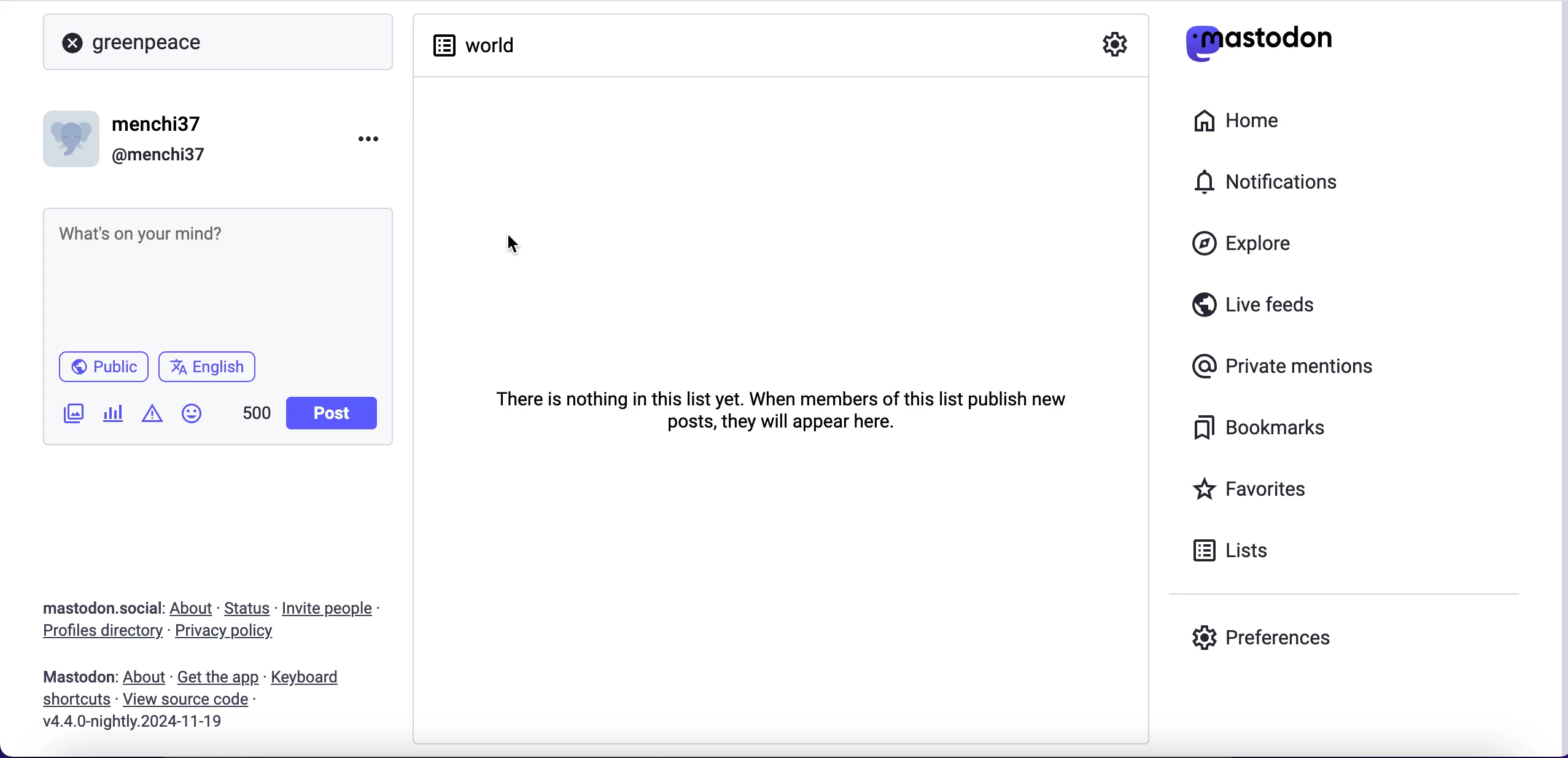 This screenshot has width=1568, height=758. I want to click on user name, so click(134, 137).